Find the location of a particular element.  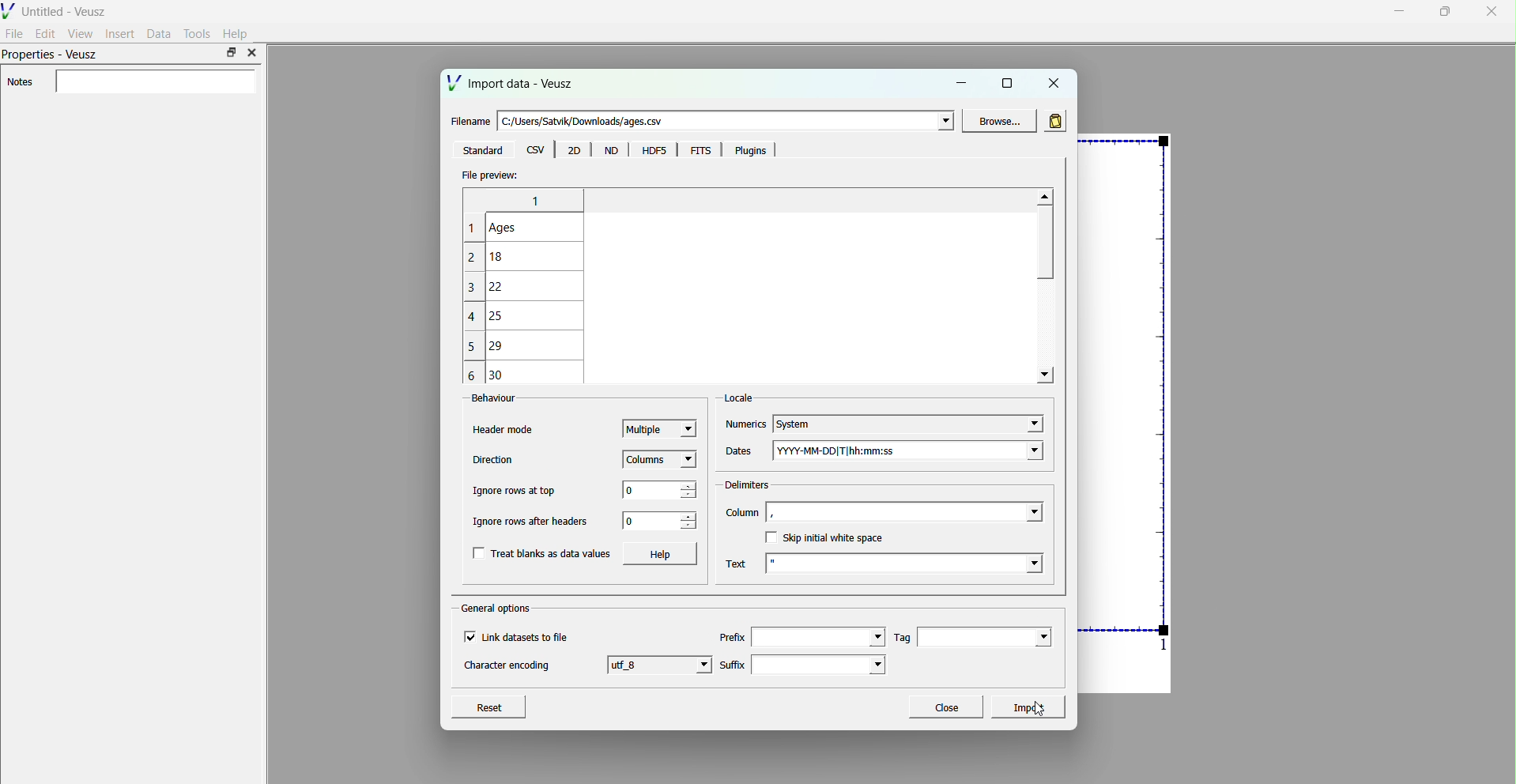

HDF5 is located at coordinates (653, 151).